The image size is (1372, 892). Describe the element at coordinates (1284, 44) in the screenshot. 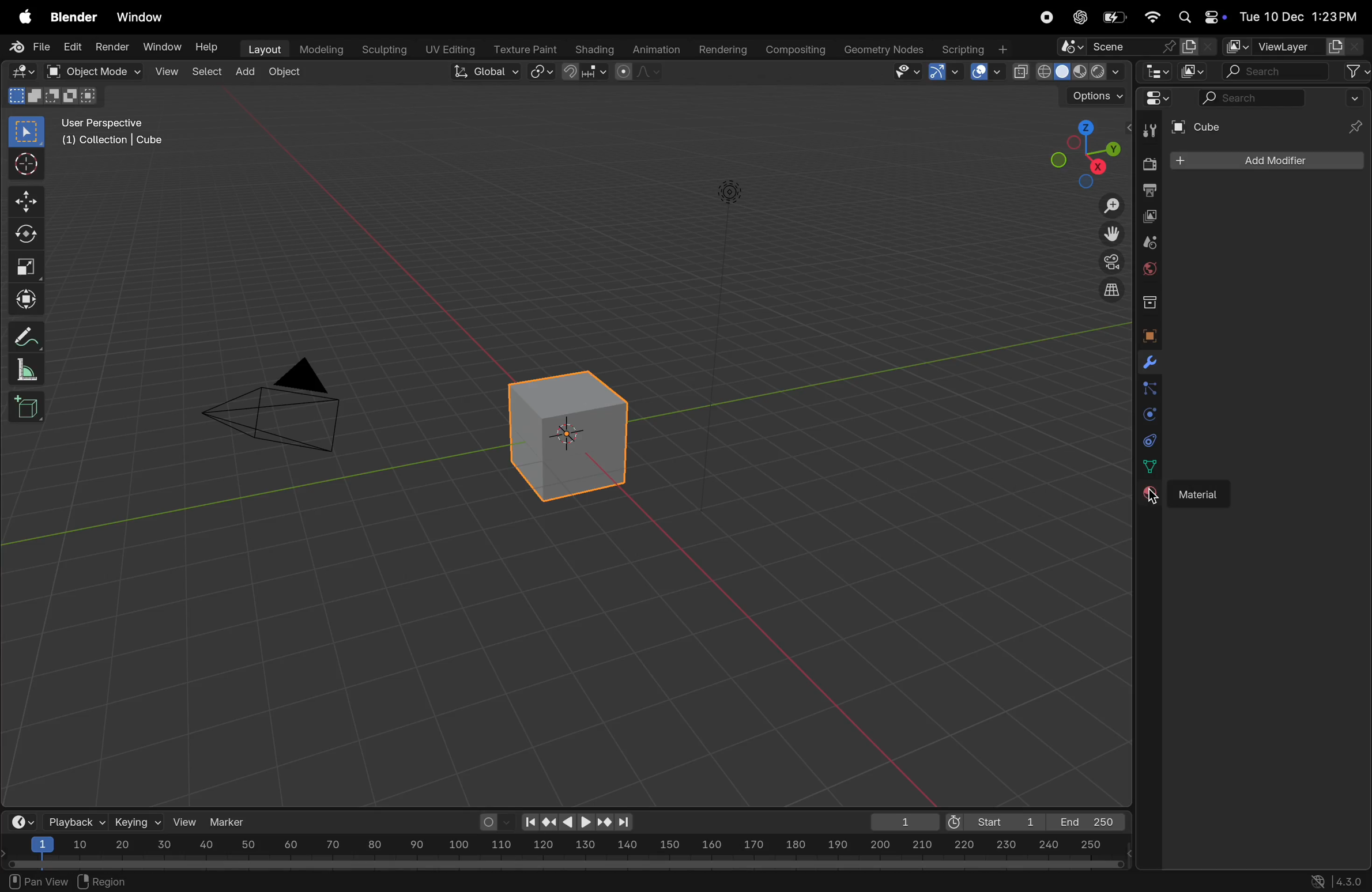

I see `view layer` at that location.